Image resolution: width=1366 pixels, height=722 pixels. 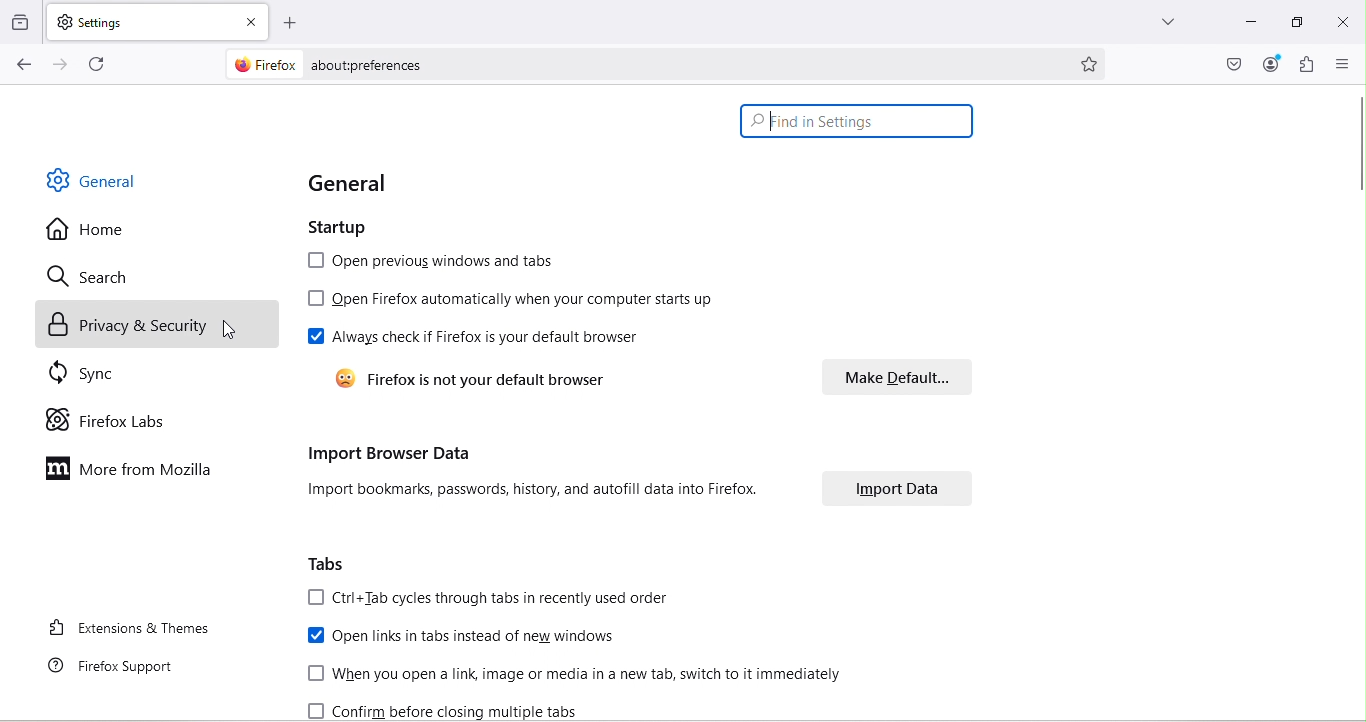 What do you see at coordinates (21, 65) in the screenshot?
I see `Go back one page` at bounding box center [21, 65].